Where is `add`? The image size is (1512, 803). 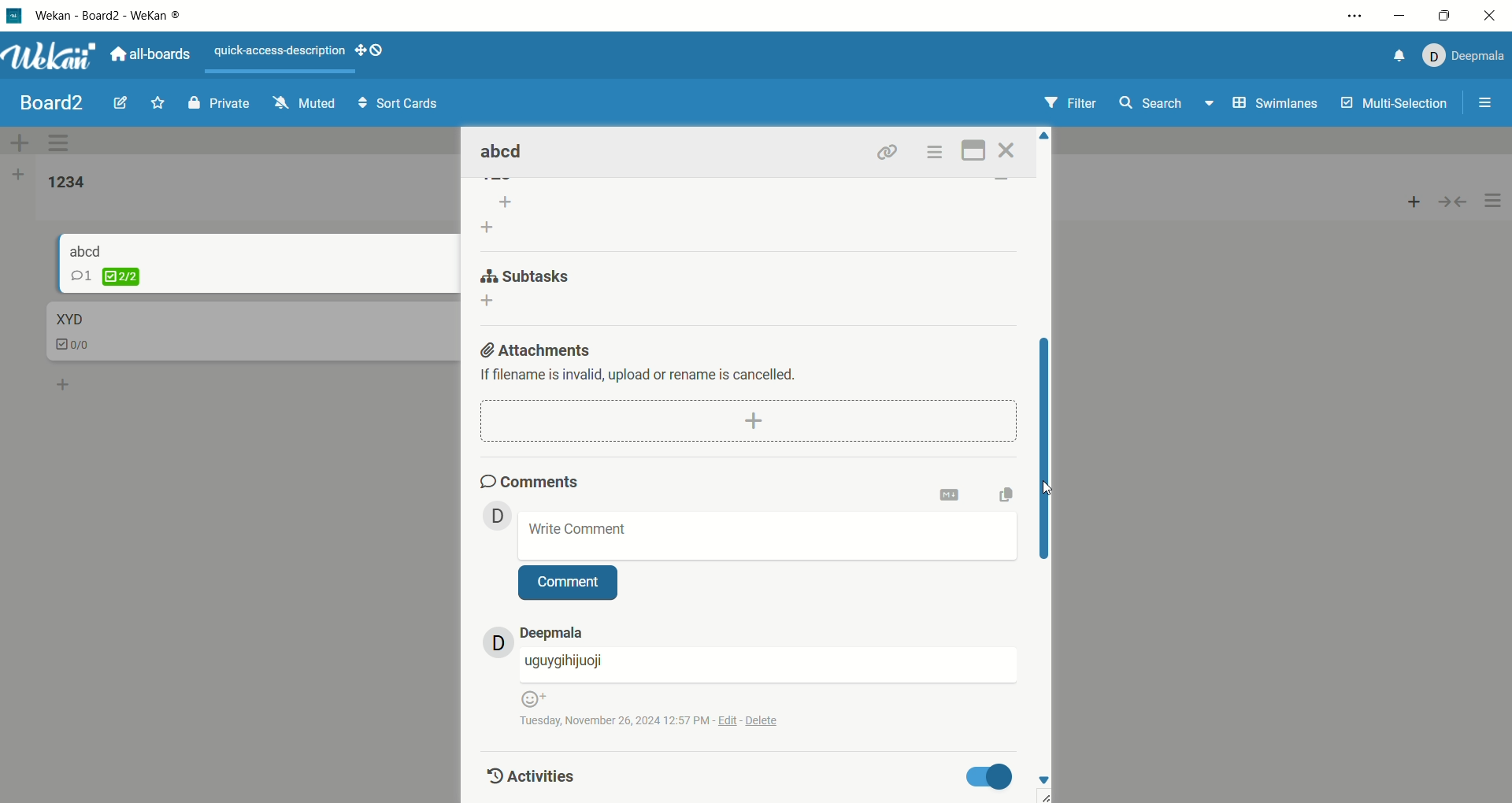
add is located at coordinates (1414, 198).